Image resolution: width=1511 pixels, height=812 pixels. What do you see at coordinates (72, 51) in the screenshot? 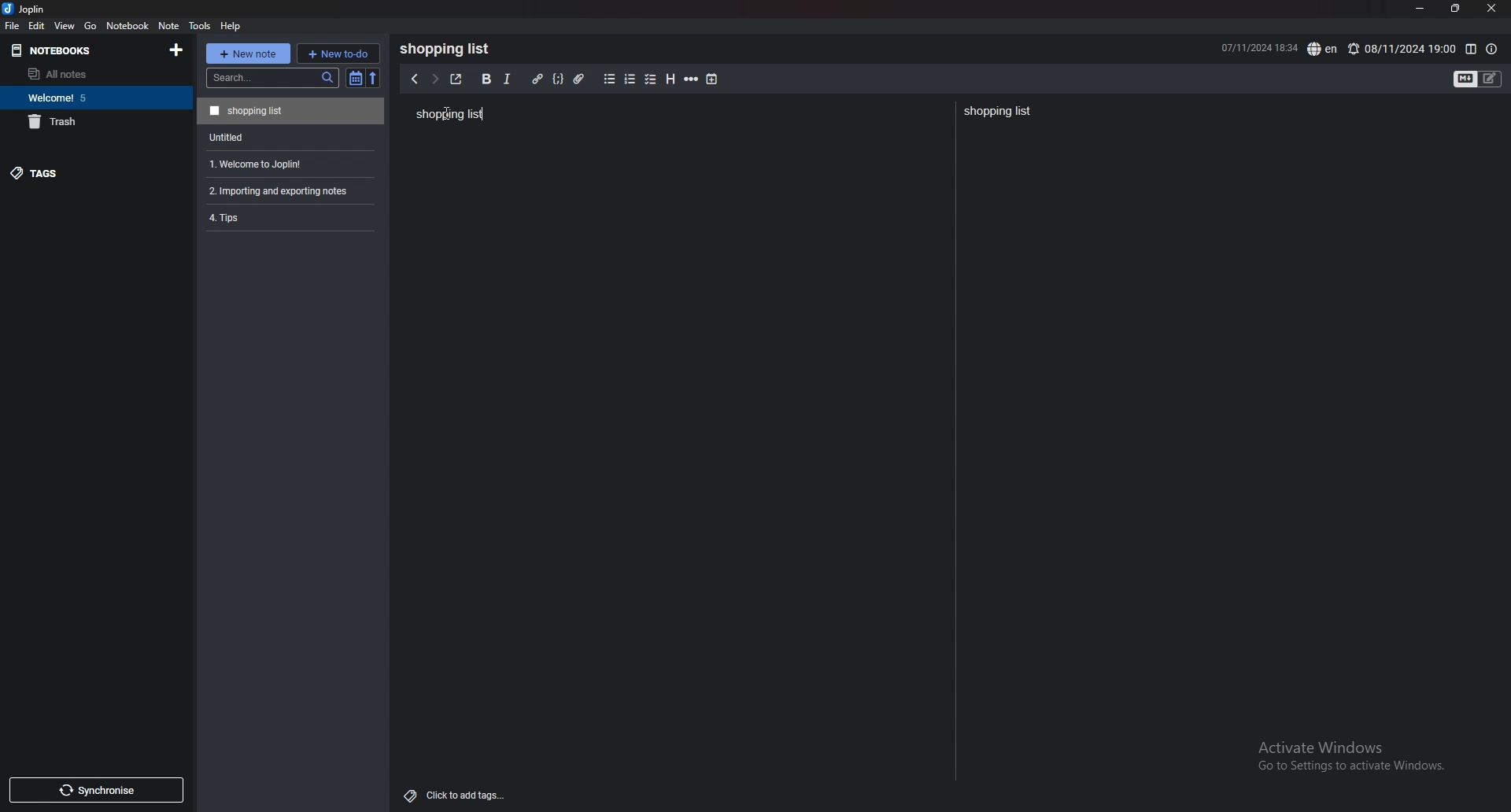
I see `notebooks` at bounding box center [72, 51].